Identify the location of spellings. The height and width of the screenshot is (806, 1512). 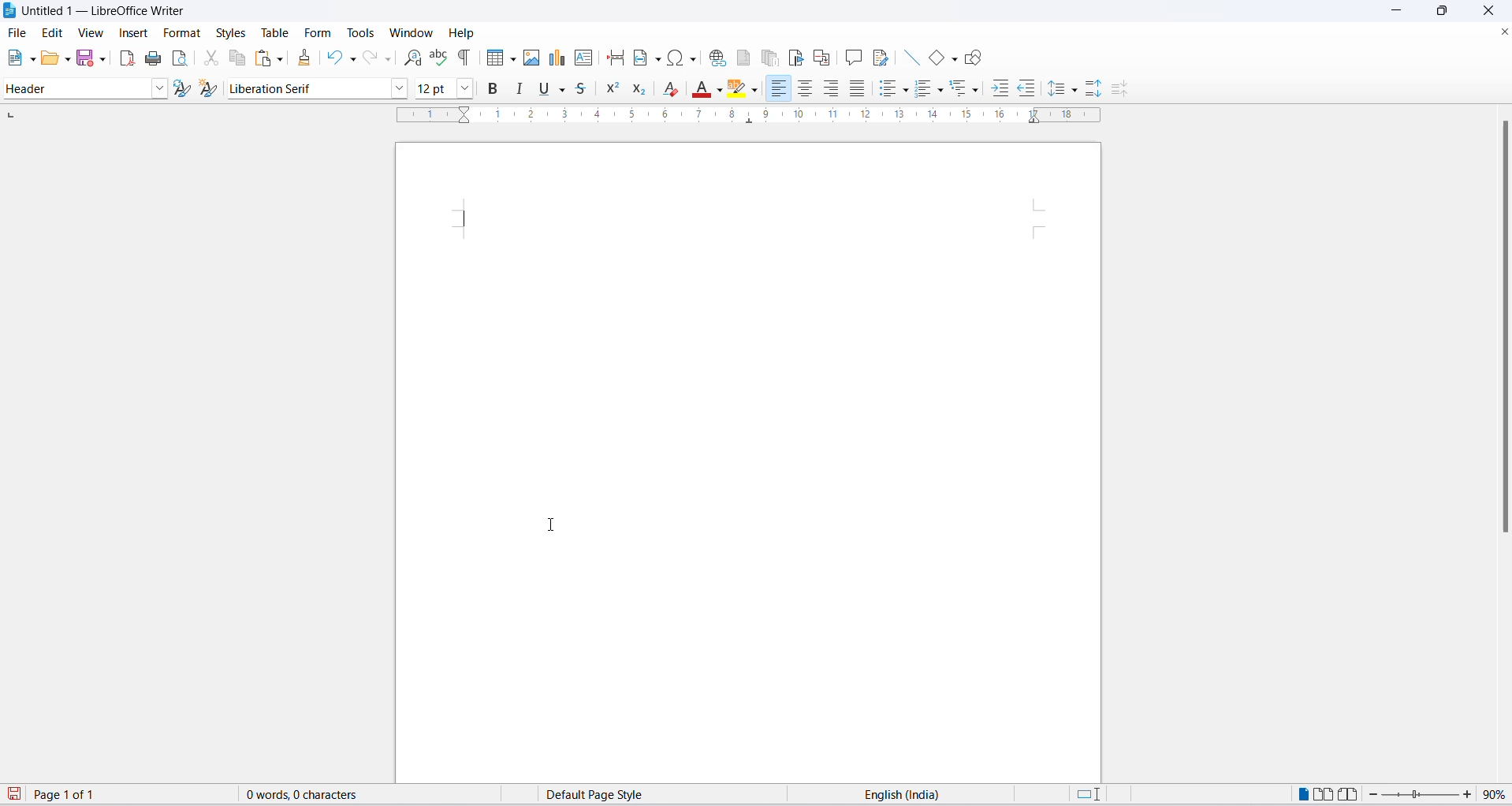
(440, 58).